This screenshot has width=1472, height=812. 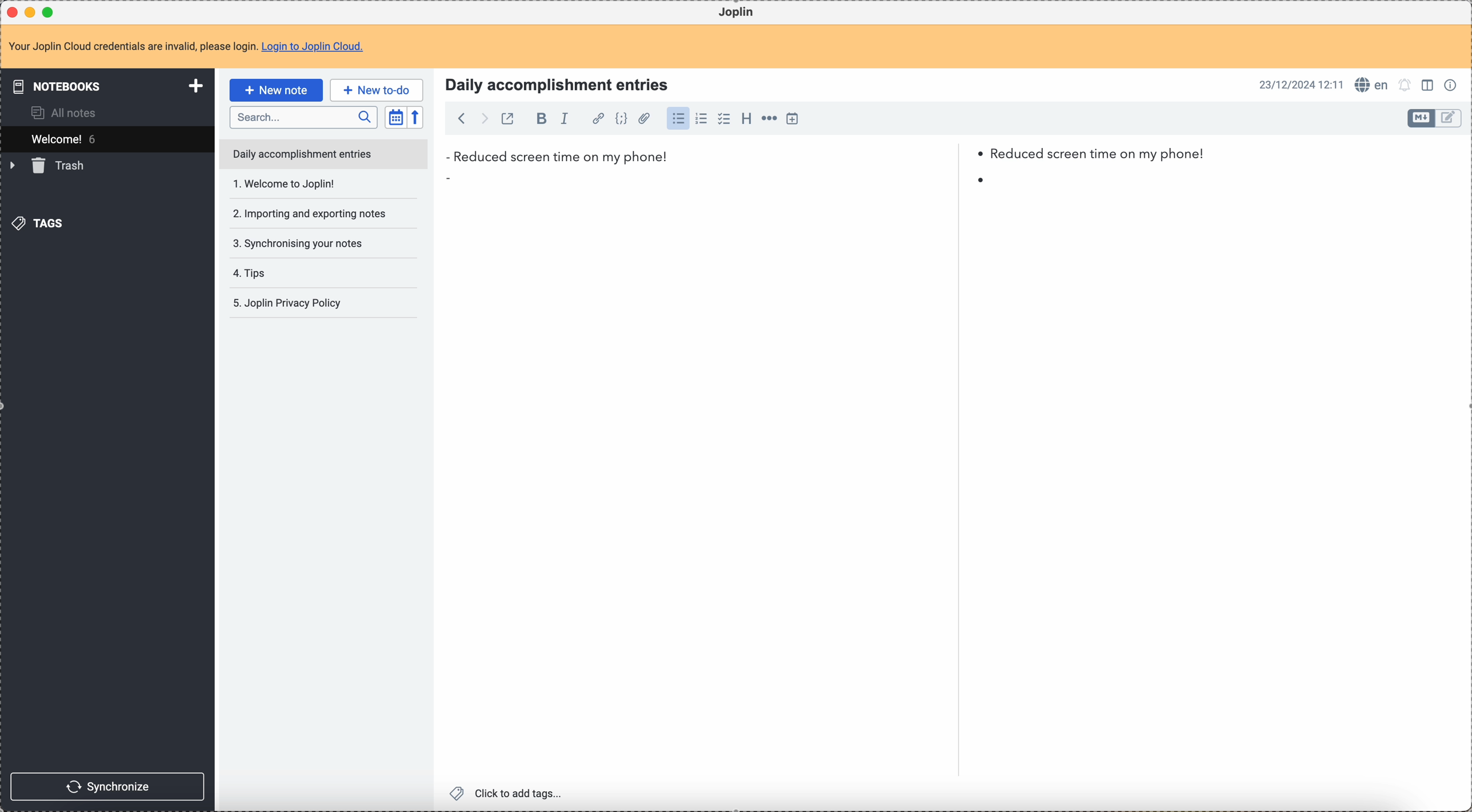 What do you see at coordinates (286, 273) in the screenshot?
I see `Joplin privacy policy` at bounding box center [286, 273].